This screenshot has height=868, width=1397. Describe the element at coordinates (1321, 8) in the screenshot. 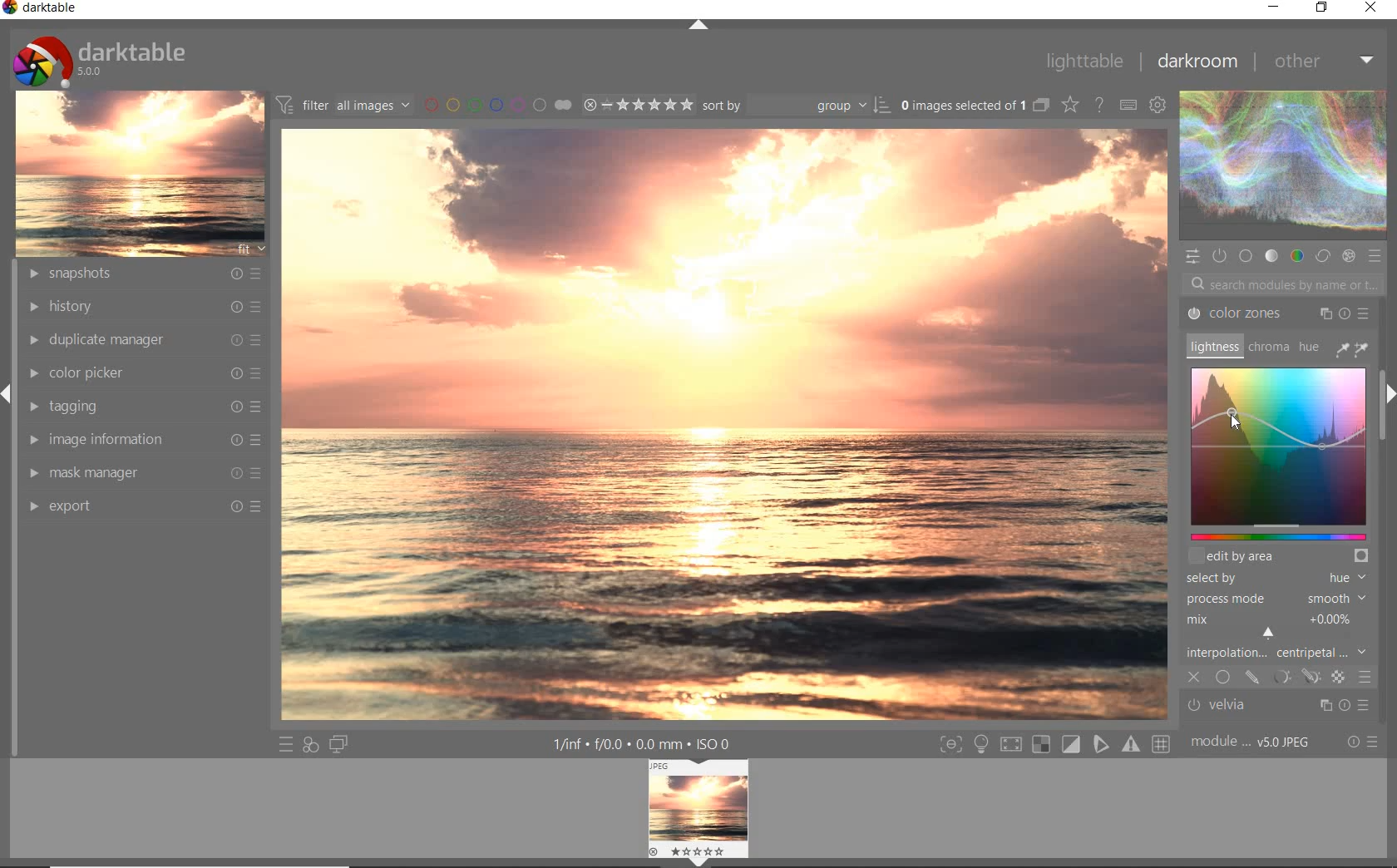

I see `restore` at that location.